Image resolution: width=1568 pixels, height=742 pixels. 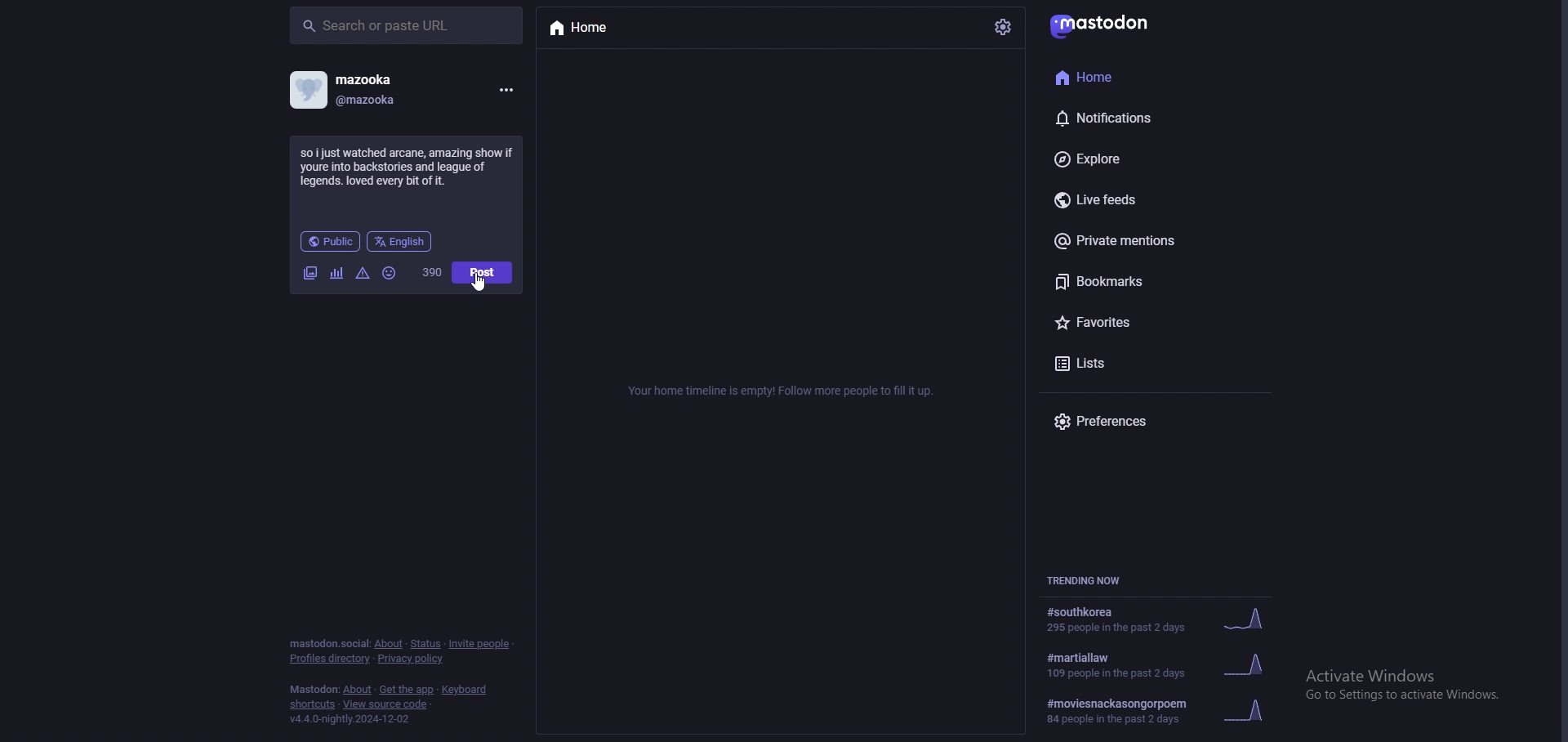 I want to click on language, so click(x=399, y=242).